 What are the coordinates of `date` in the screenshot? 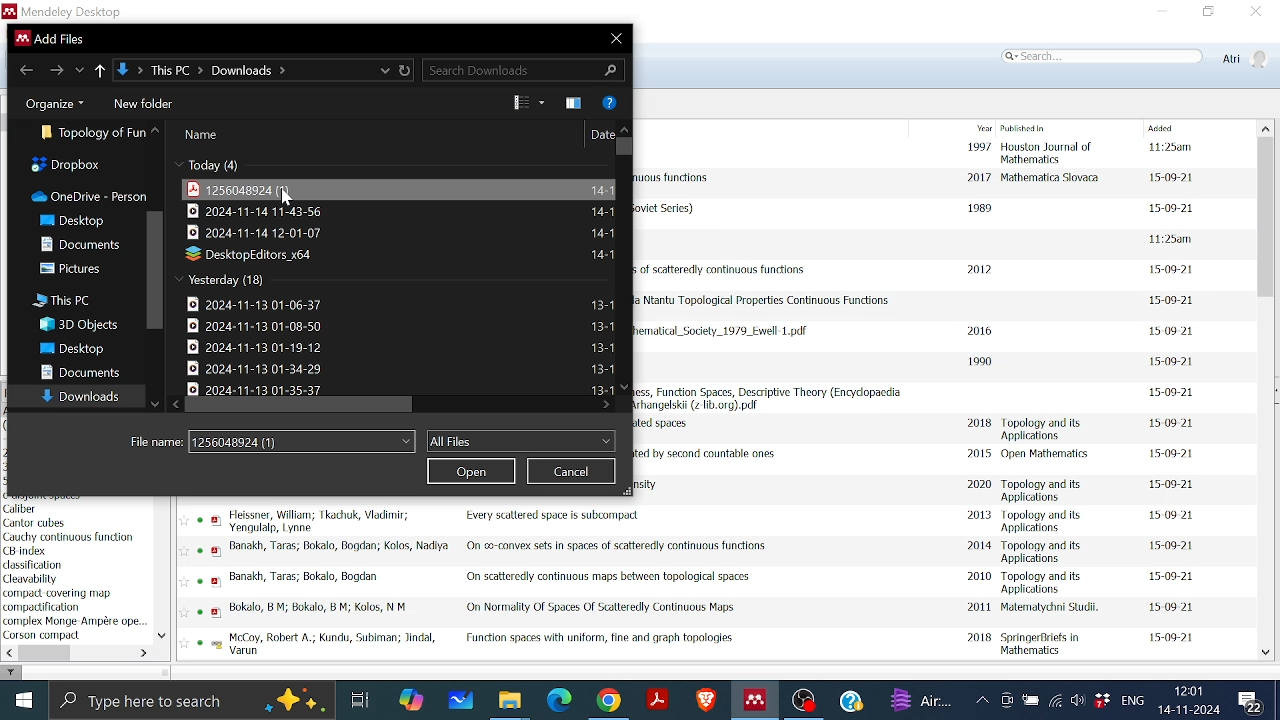 It's located at (1168, 360).